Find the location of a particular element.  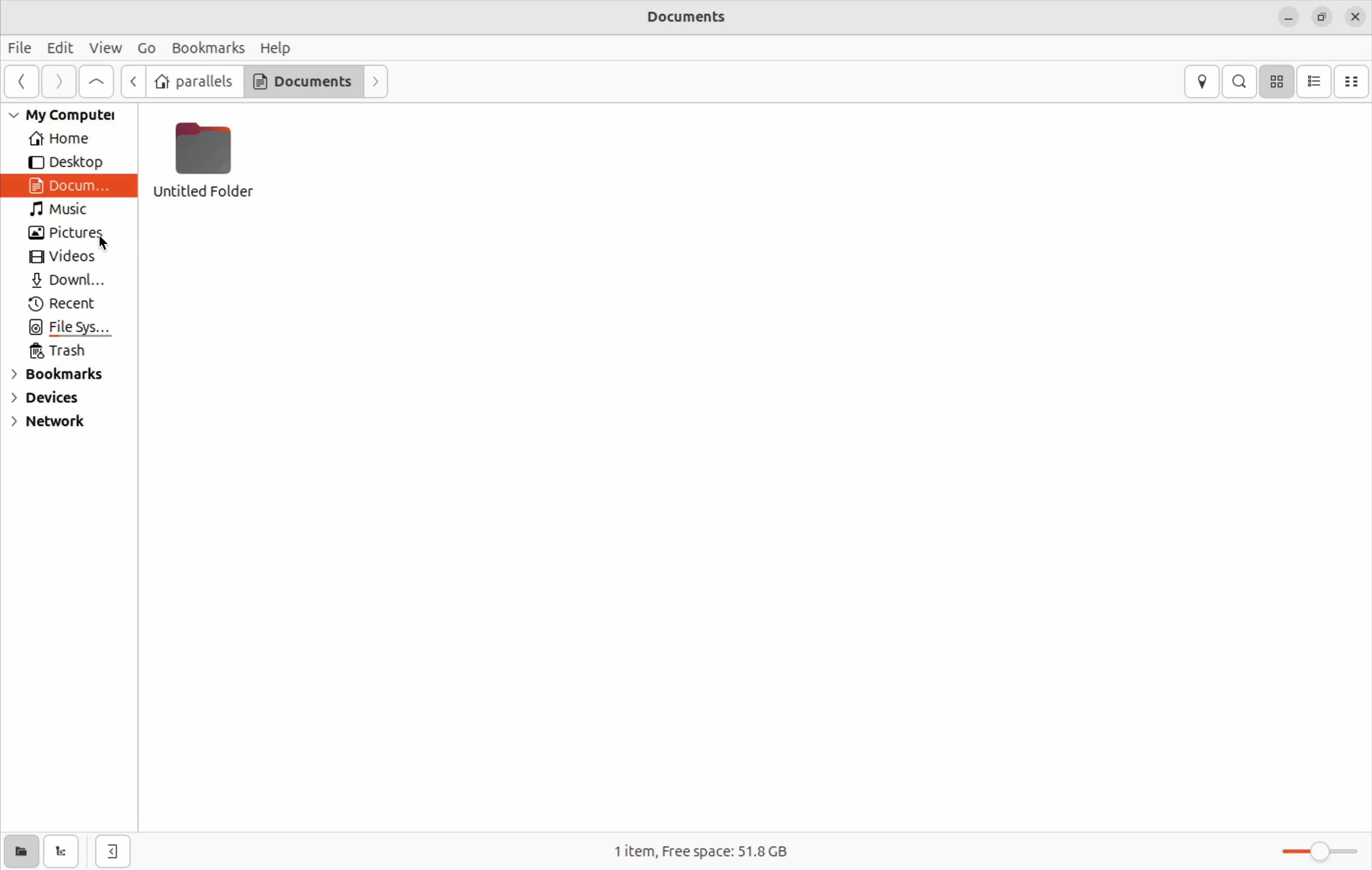

File is located at coordinates (22, 47).